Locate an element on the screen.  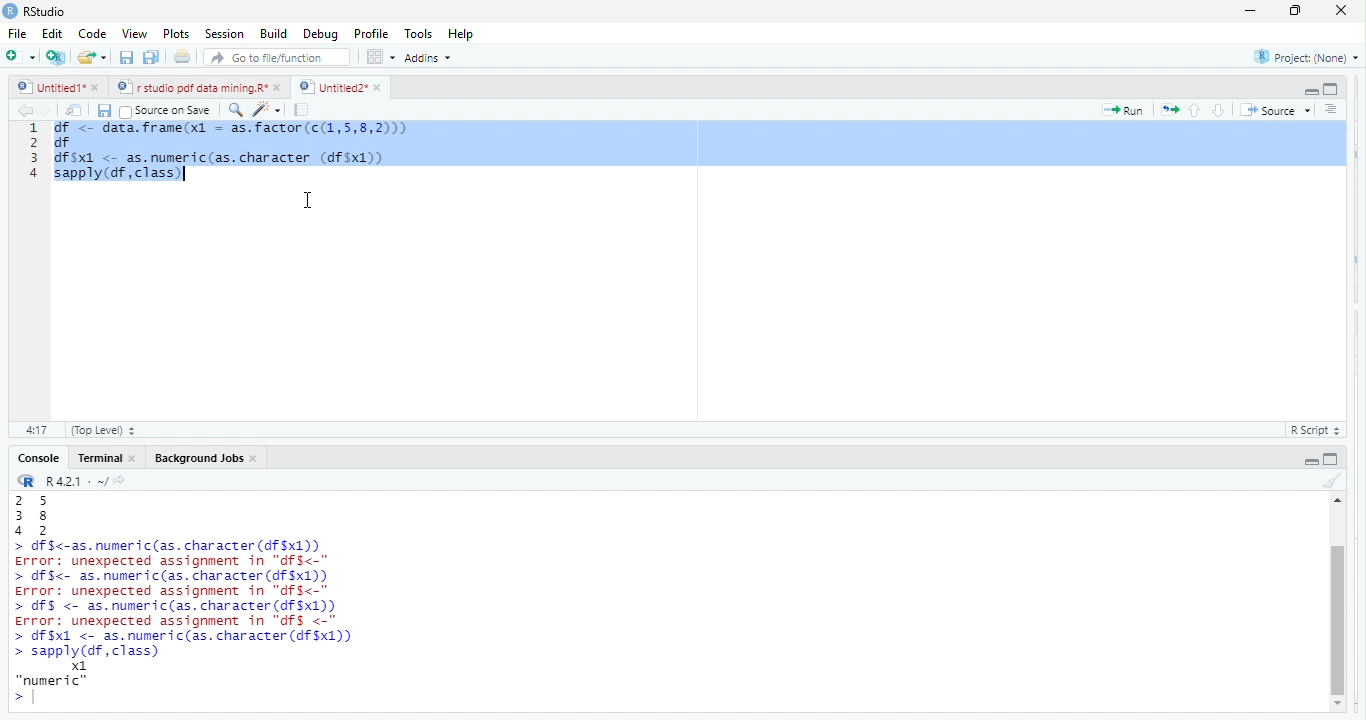
clear console is located at coordinates (1330, 482).